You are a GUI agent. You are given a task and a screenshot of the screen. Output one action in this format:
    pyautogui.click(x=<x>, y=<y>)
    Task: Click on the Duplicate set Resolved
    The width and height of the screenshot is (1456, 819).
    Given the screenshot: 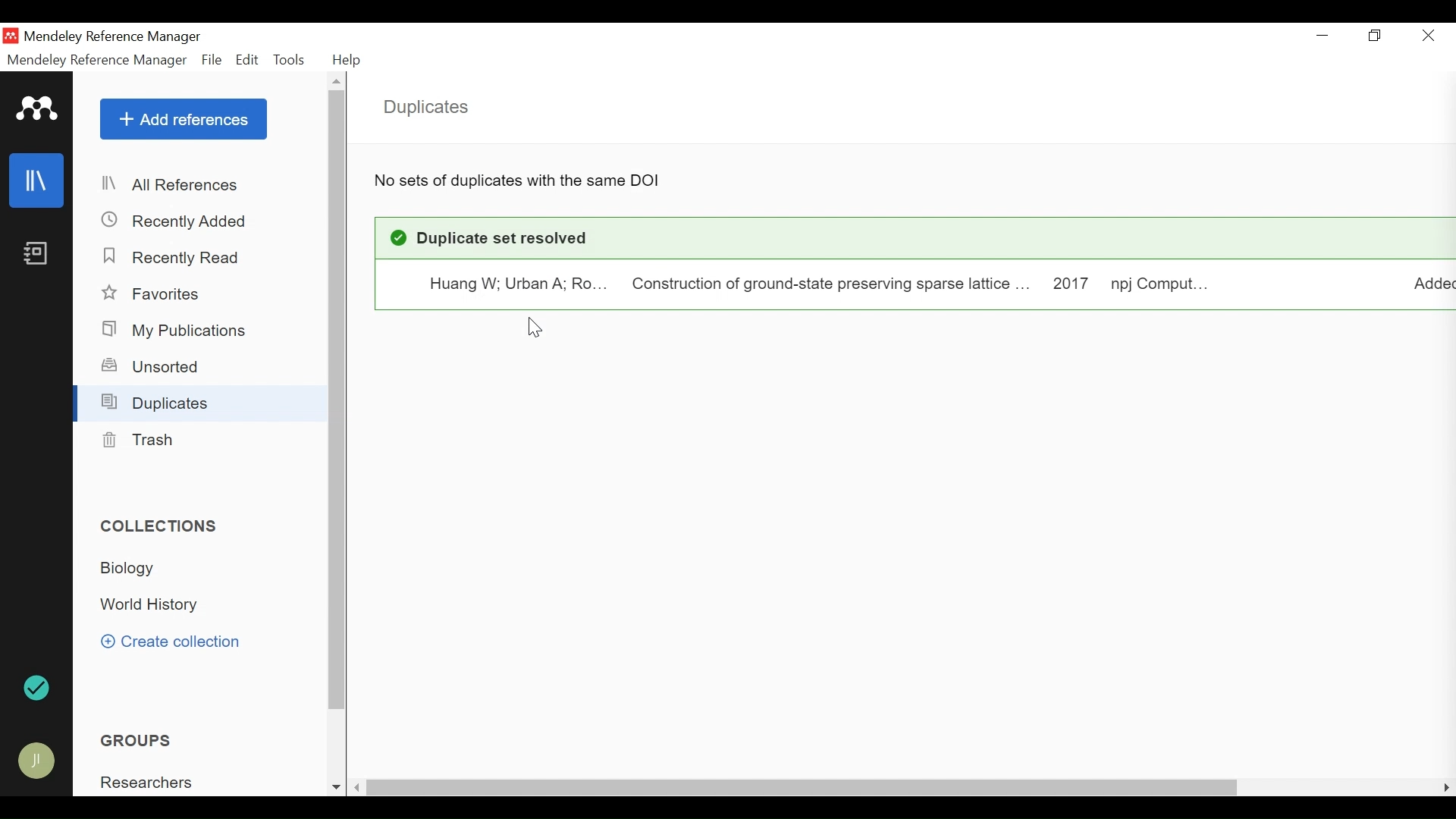 What is the action you would take?
    pyautogui.click(x=915, y=238)
    